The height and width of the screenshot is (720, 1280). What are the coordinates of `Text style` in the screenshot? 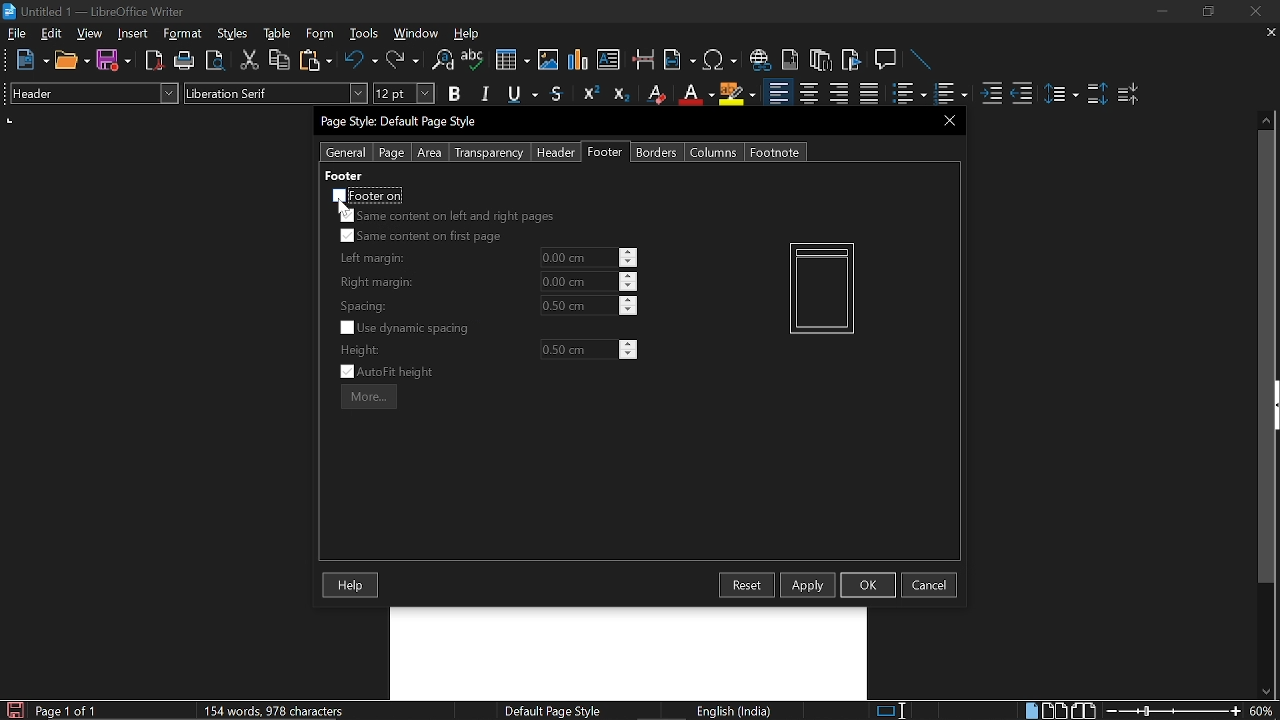 It's located at (277, 93).